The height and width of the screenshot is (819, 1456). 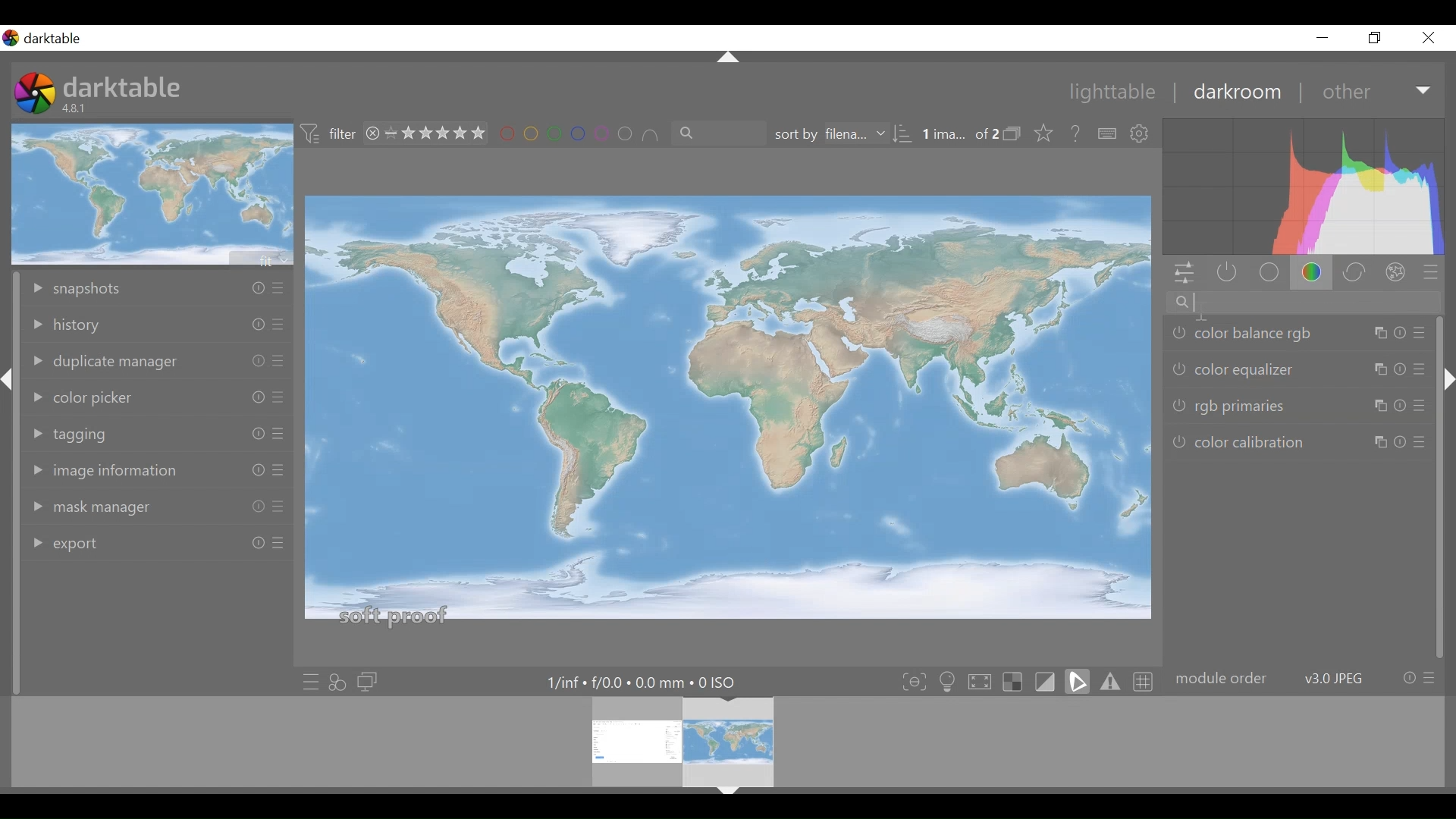 I want to click on color picker, so click(x=85, y=395).